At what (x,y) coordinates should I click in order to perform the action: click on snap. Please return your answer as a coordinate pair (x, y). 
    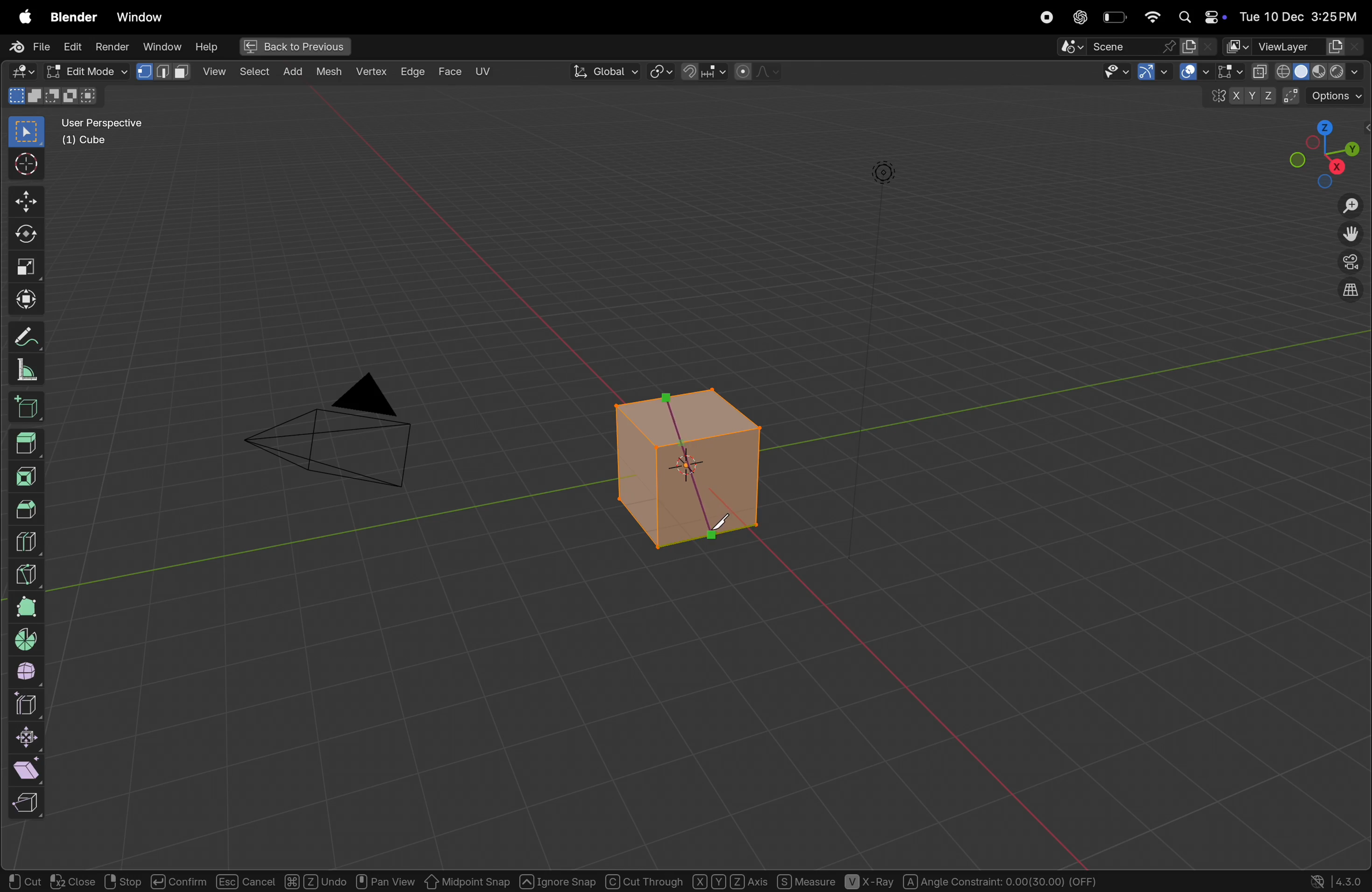
    Looking at the image, I should click on (703, 73).